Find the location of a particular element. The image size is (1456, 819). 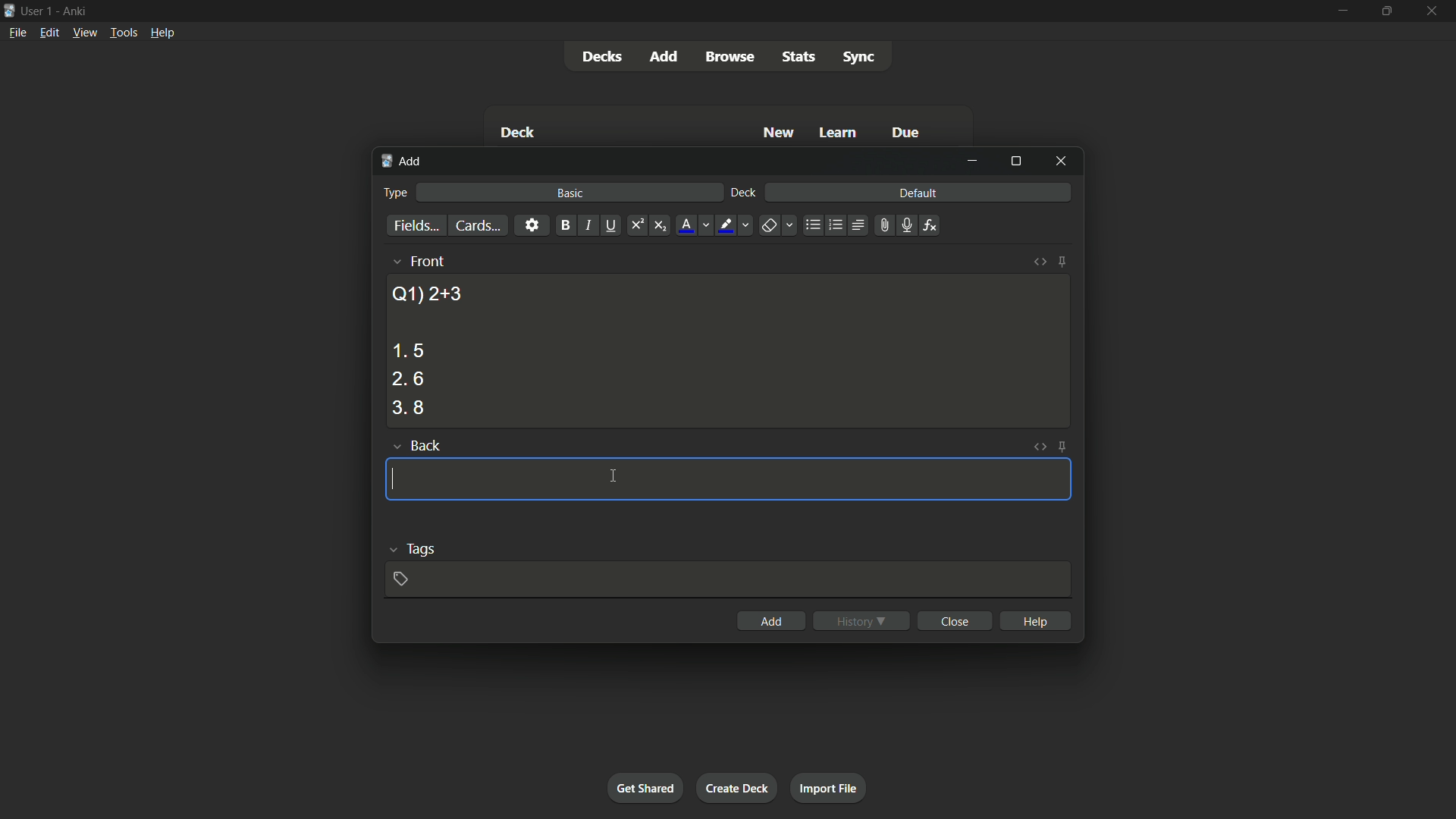

app icon is located at coordinates (9, 9).